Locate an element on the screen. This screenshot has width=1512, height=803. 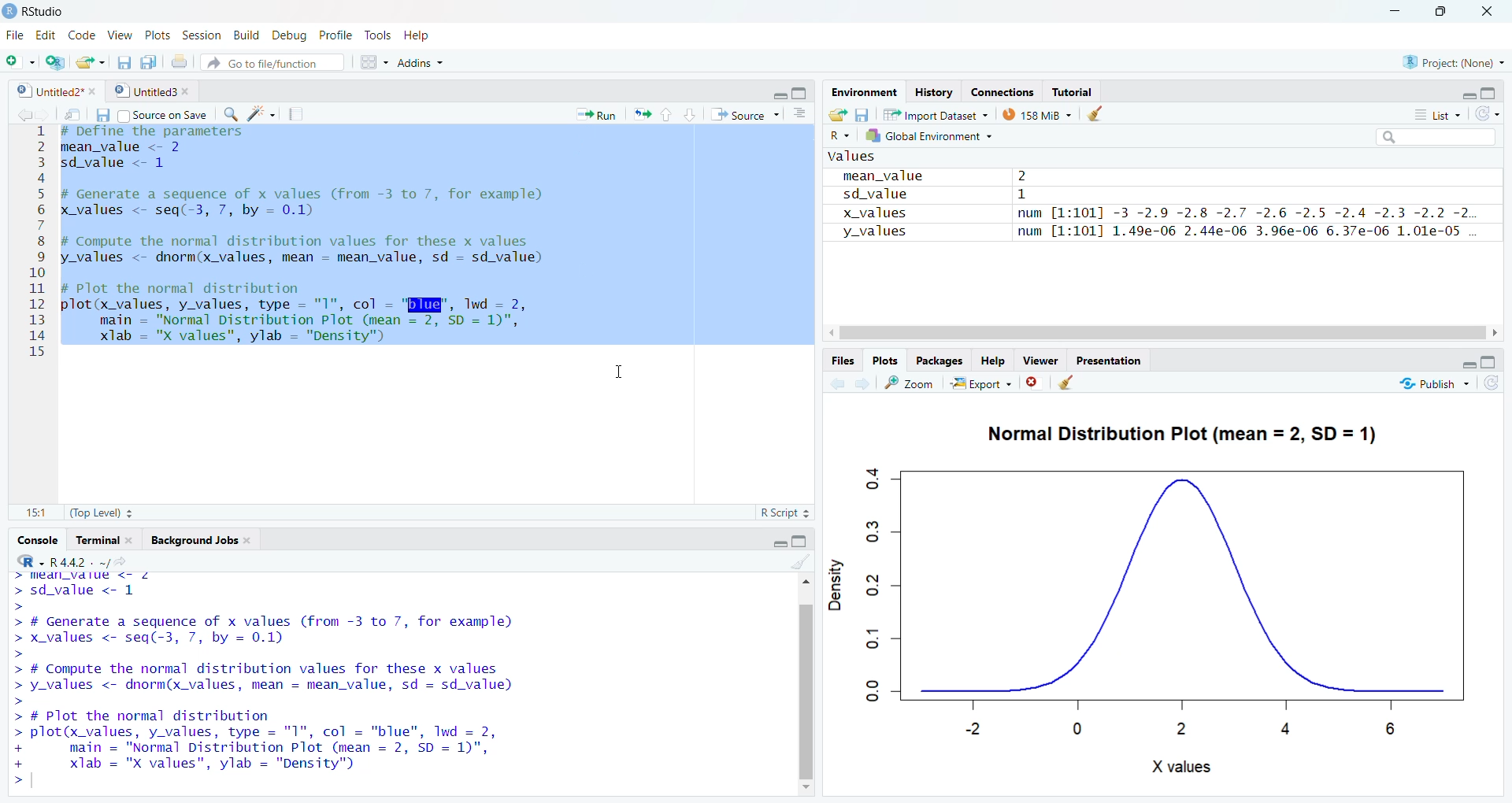
rerun the previous code is located at coordinates (640, 115).